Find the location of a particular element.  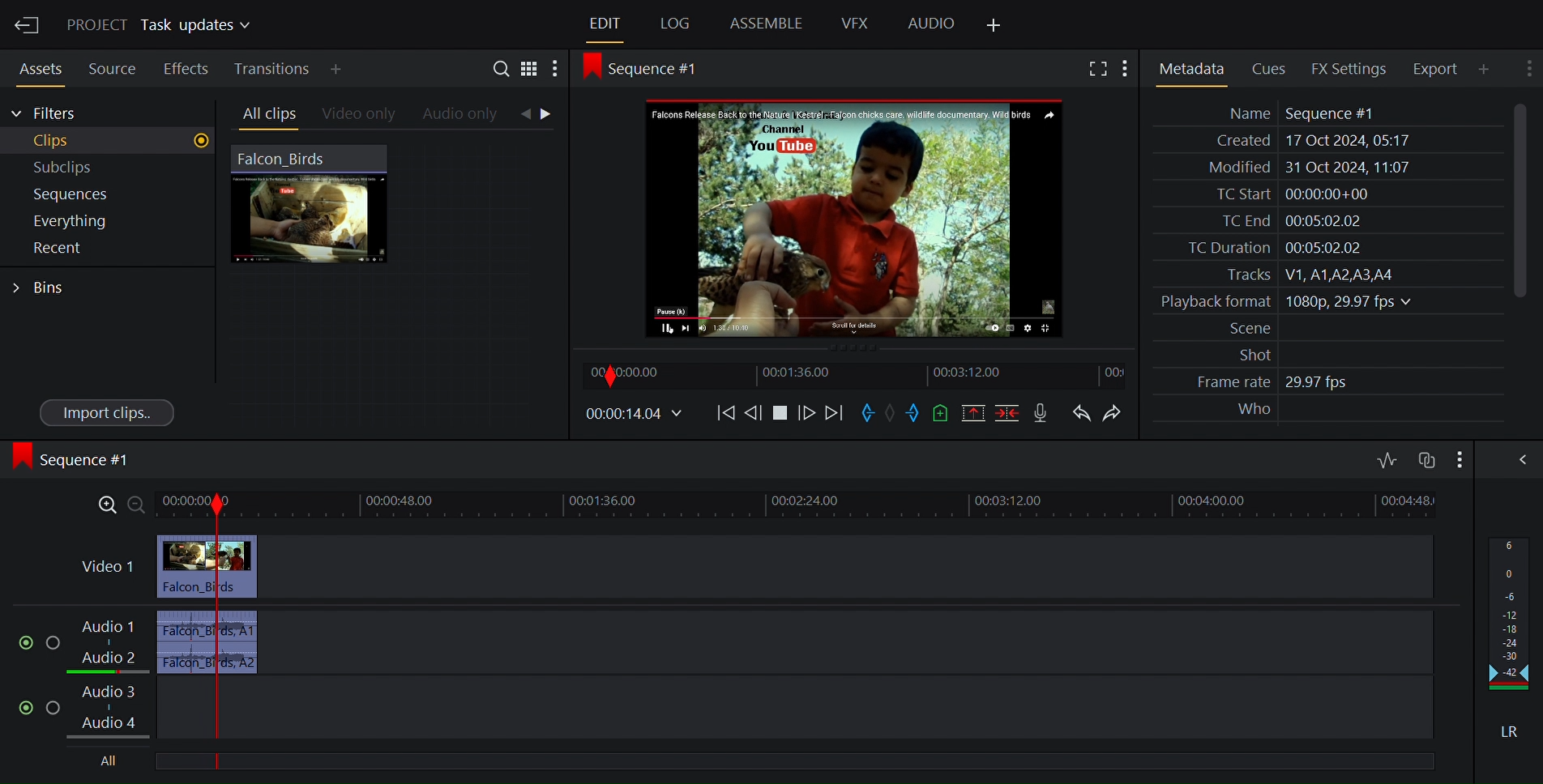

Exit Current Project is located at coordinates (28, 26).